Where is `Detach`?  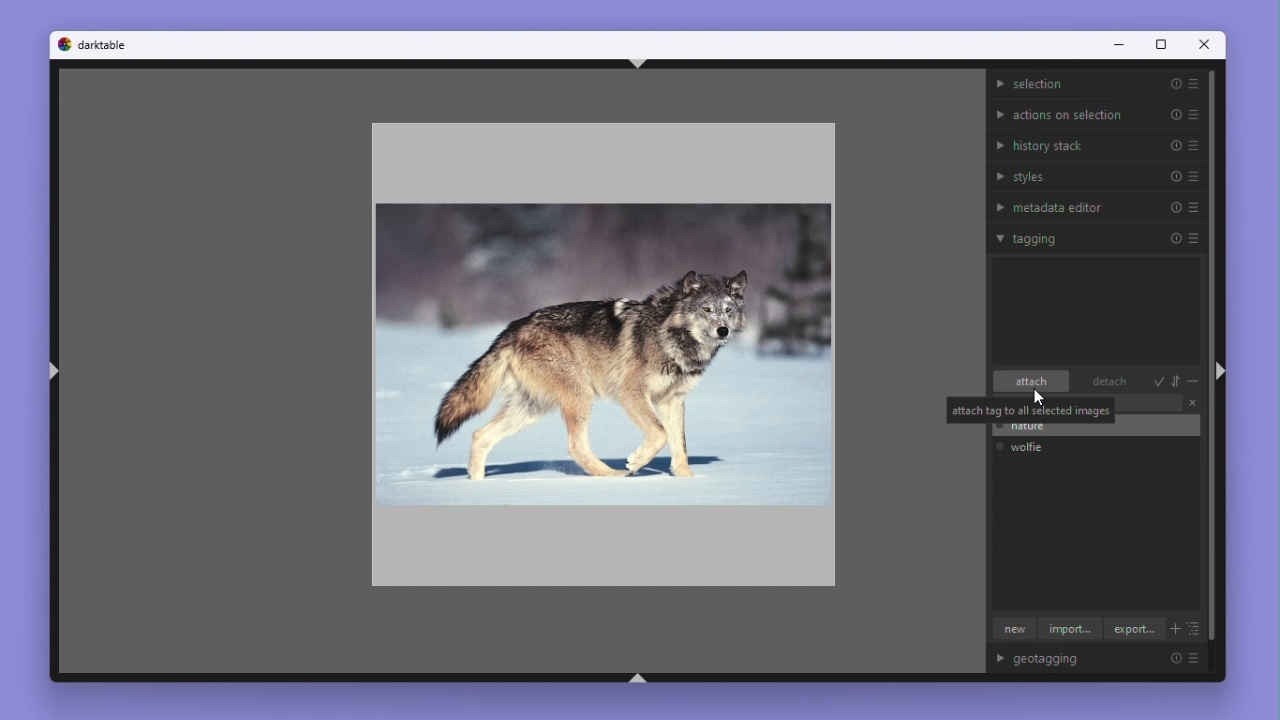 Detach is located at coordinates (1104, 383).